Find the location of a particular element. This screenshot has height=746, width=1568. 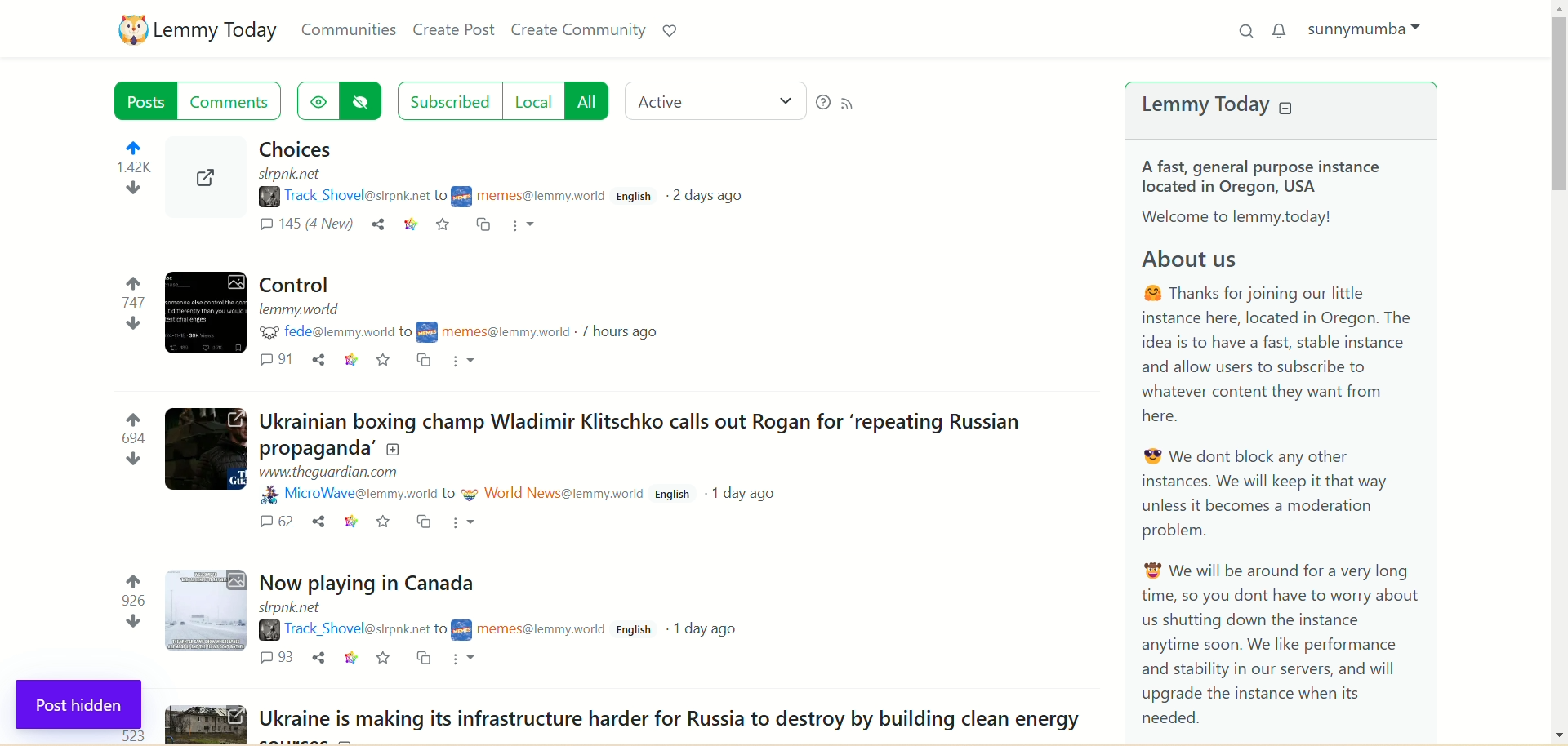

comments is located at coordinates (278, 362).